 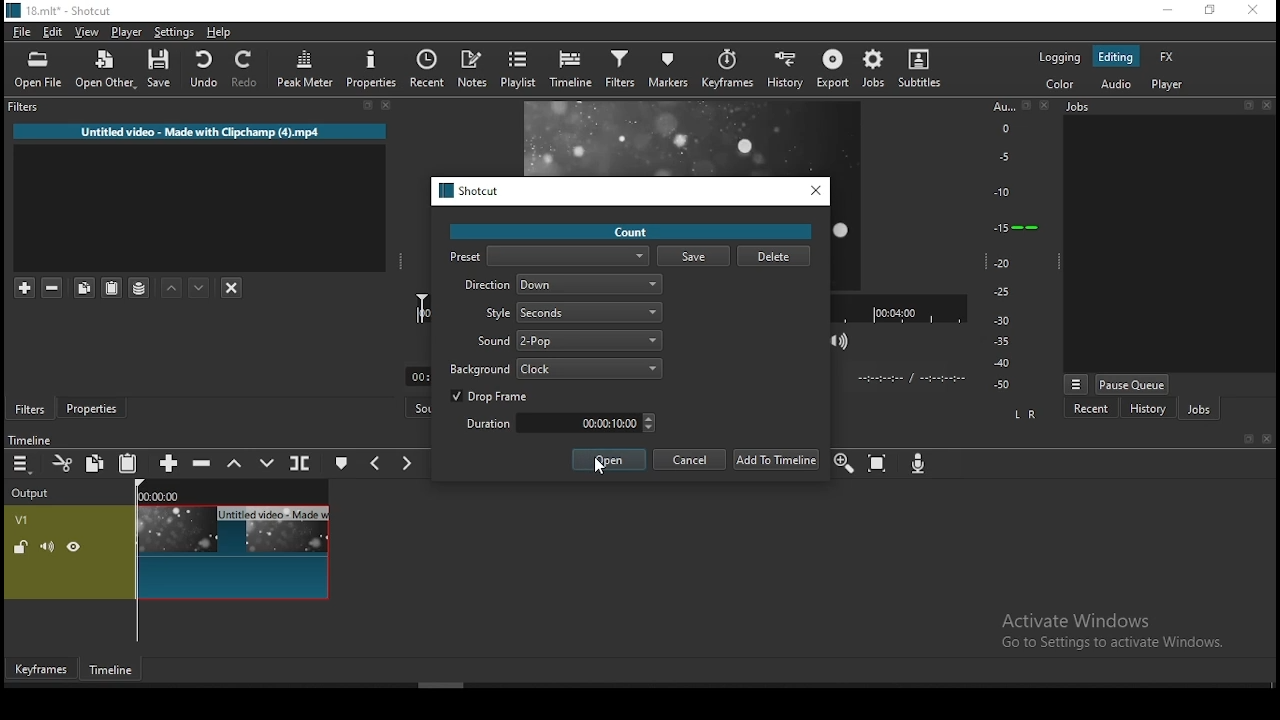 What do you see at coordinates (23, 288) in the screenshot?
I see `add a filter` at bounding box center [23, 288].